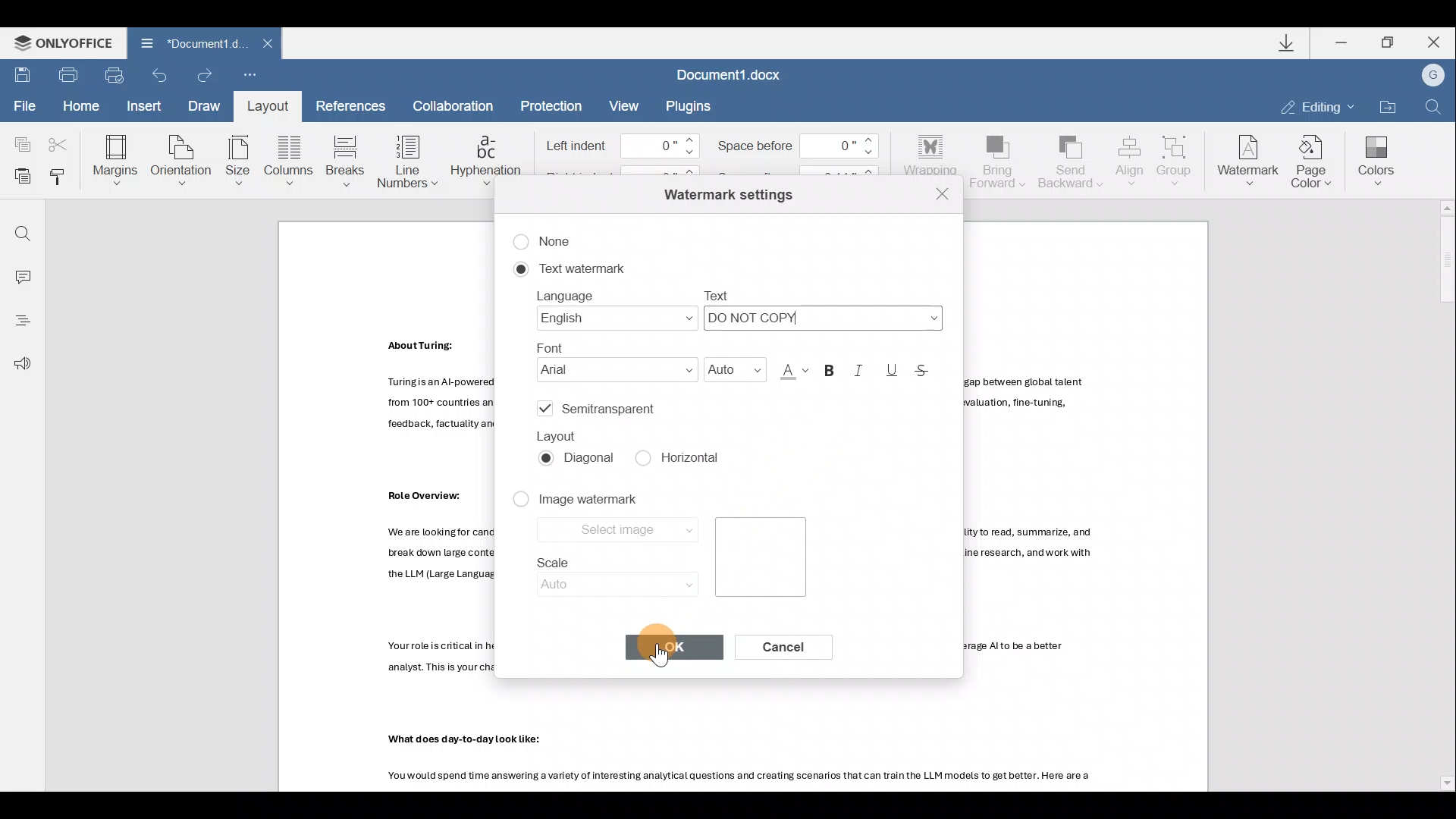 The width and height of the screenshot is (1456, 819). Describe the element at coordinates (581, 463) in the screenshot. I see `Diagonal` at that location.